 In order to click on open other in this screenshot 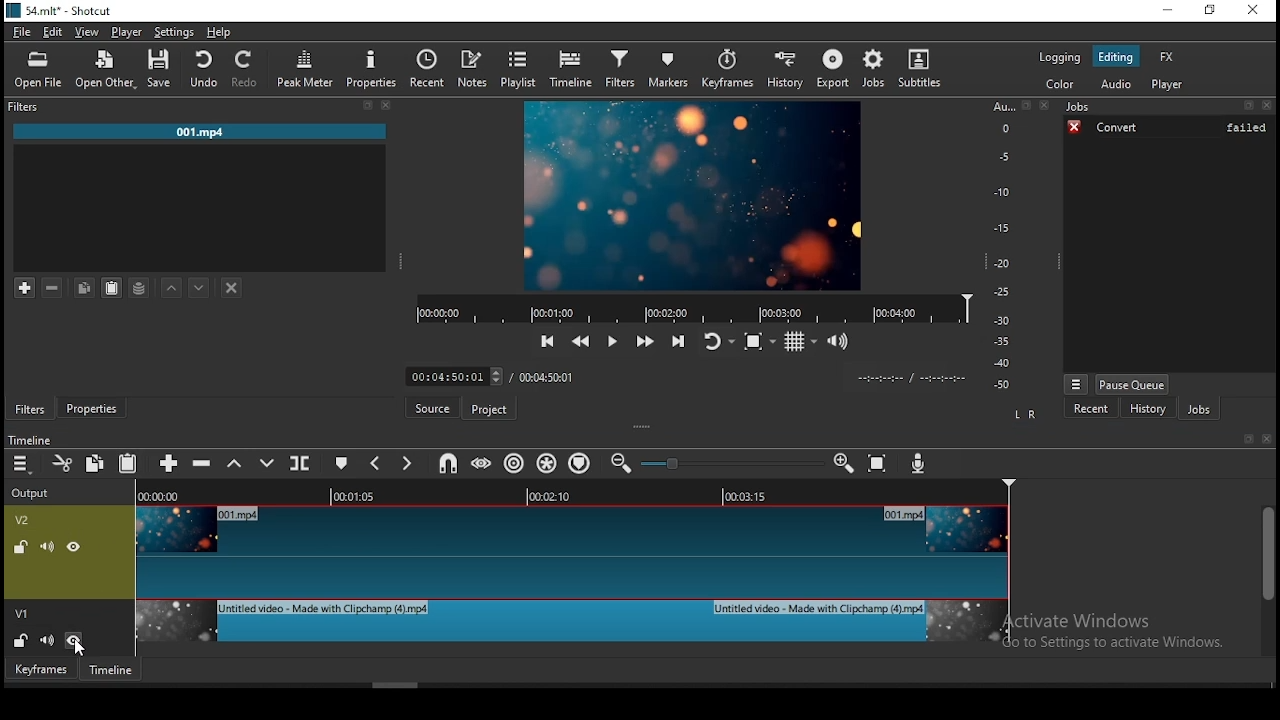, I will do `click(103, 67)`.